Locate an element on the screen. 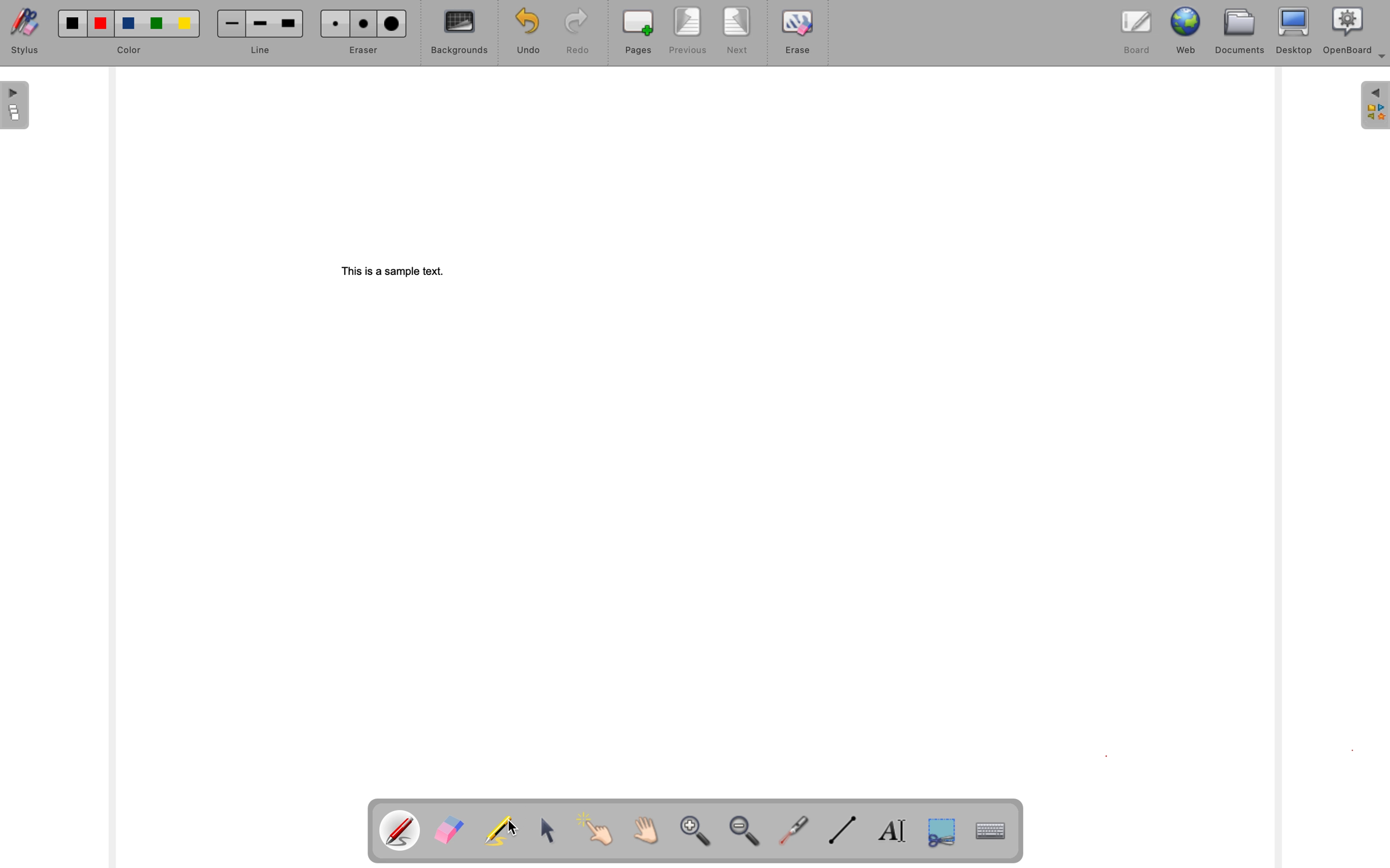 The height and width of the screenshot is (868, 1390). Annotate document is located at coordinates (400, 828).